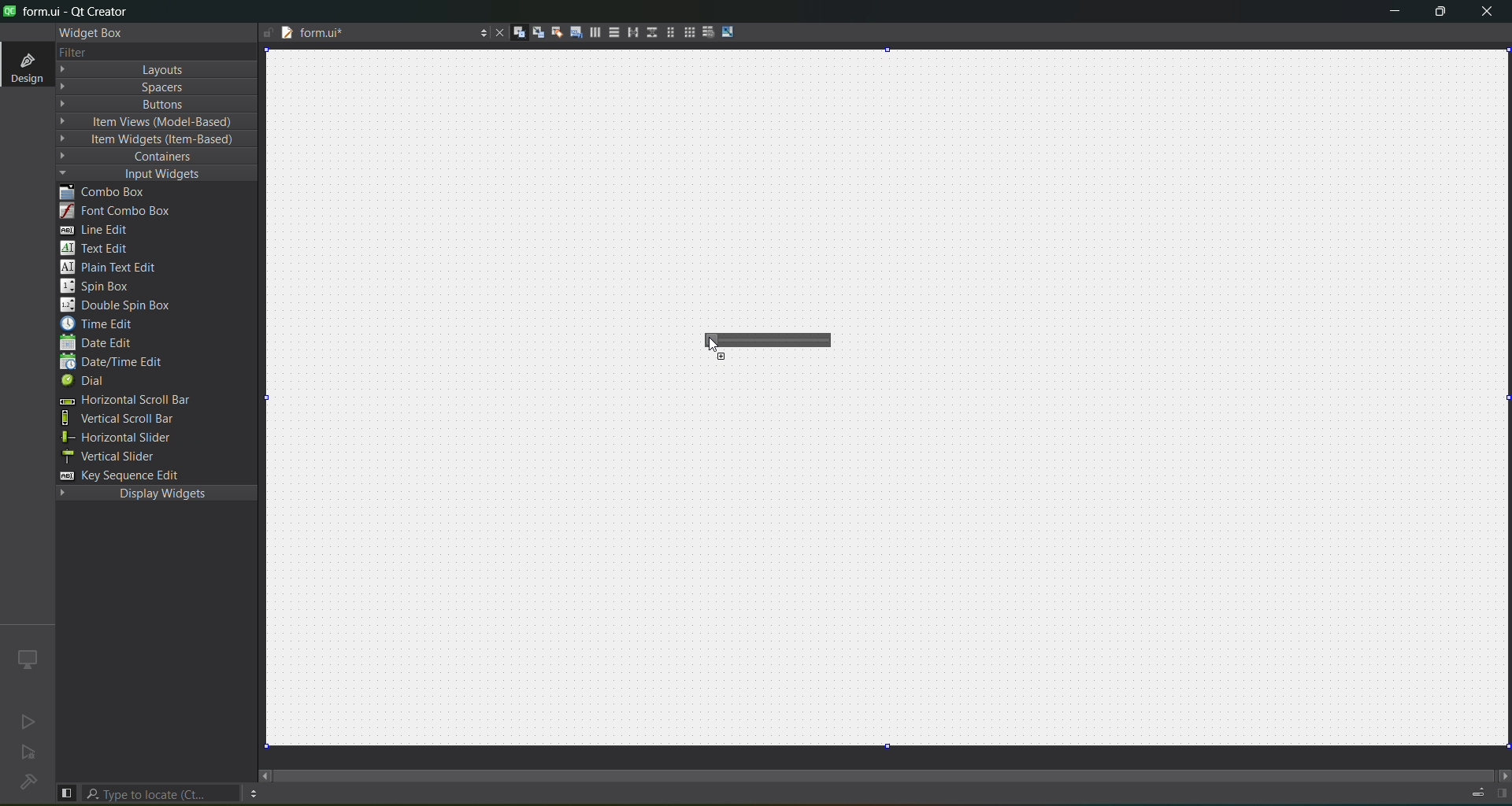 This screenshot has width=1512, height=806. What do you see at coordinates (139, 105) in the screenshot?
I see `button` at bounding box center [139, 105].